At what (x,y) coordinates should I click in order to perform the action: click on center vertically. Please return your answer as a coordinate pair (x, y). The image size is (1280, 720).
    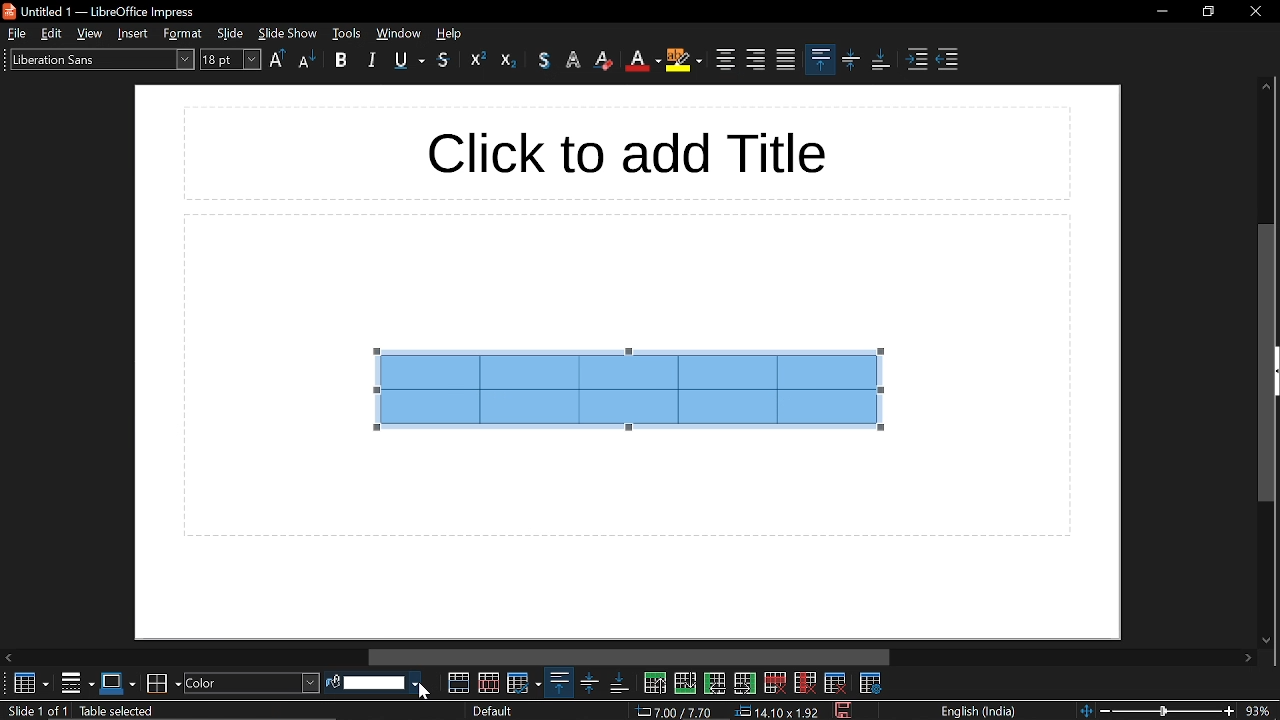
    Looking at the image, I should click on (586, 683).